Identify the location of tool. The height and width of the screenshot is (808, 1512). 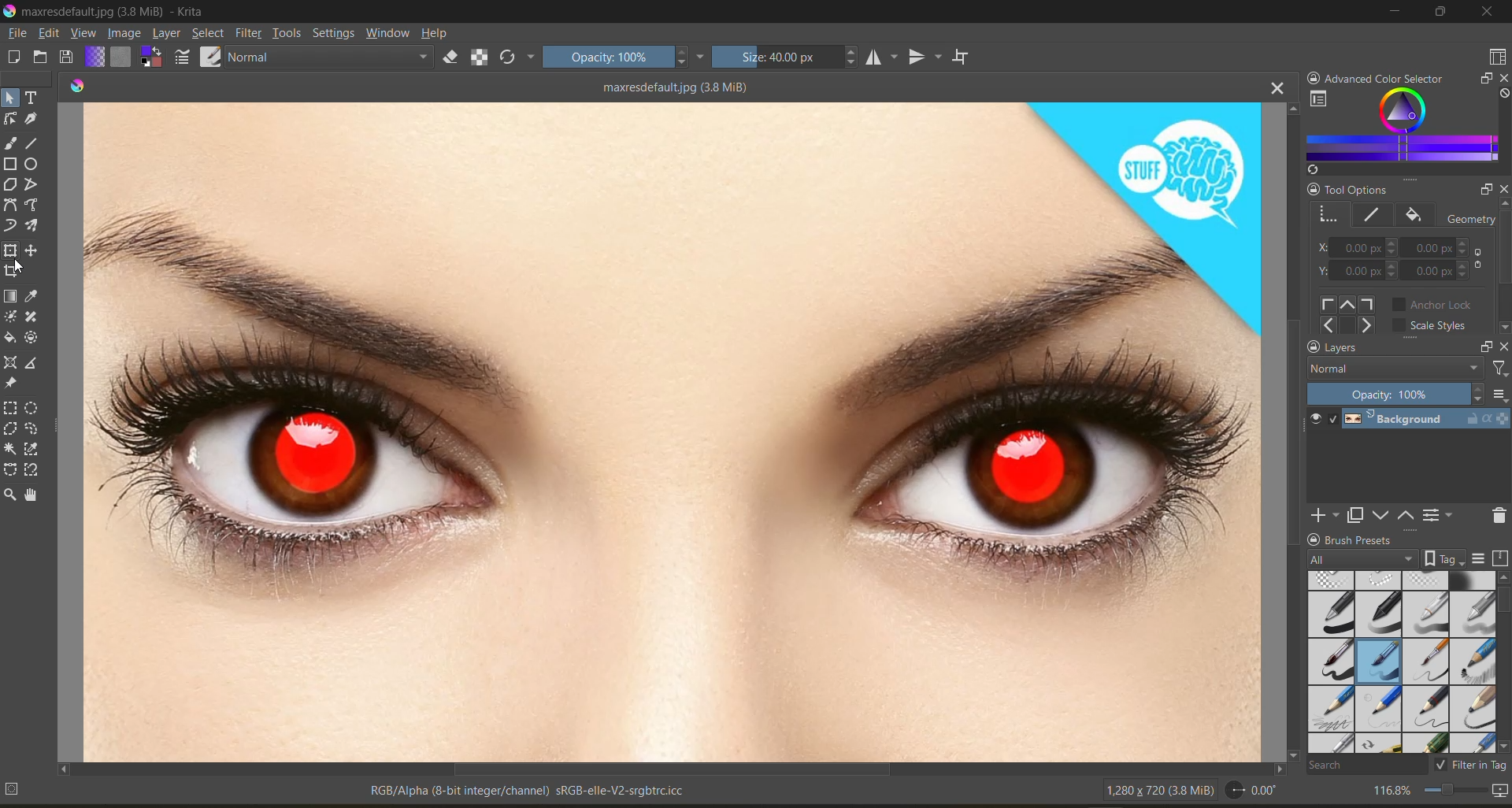
(9, 496).